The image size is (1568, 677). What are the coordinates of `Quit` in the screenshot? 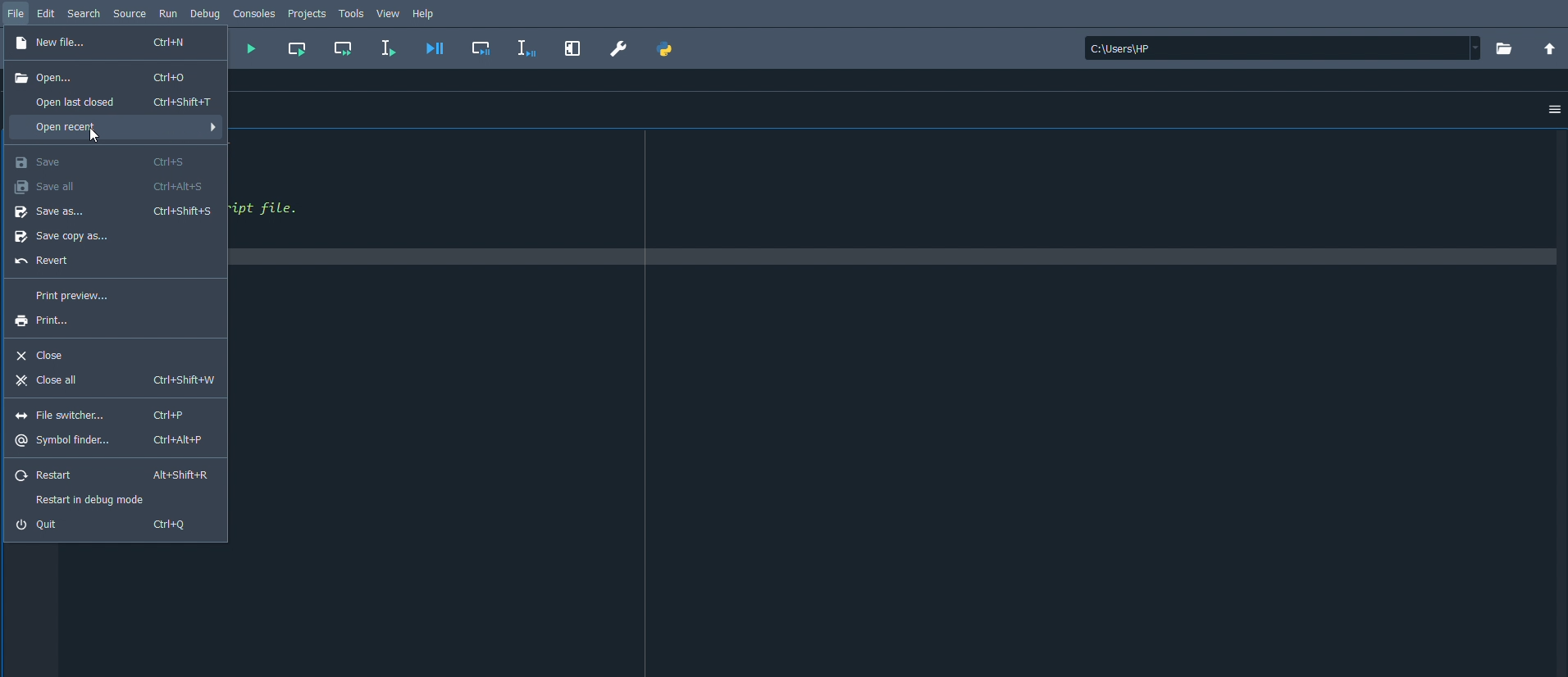 It's located at (107, 525).